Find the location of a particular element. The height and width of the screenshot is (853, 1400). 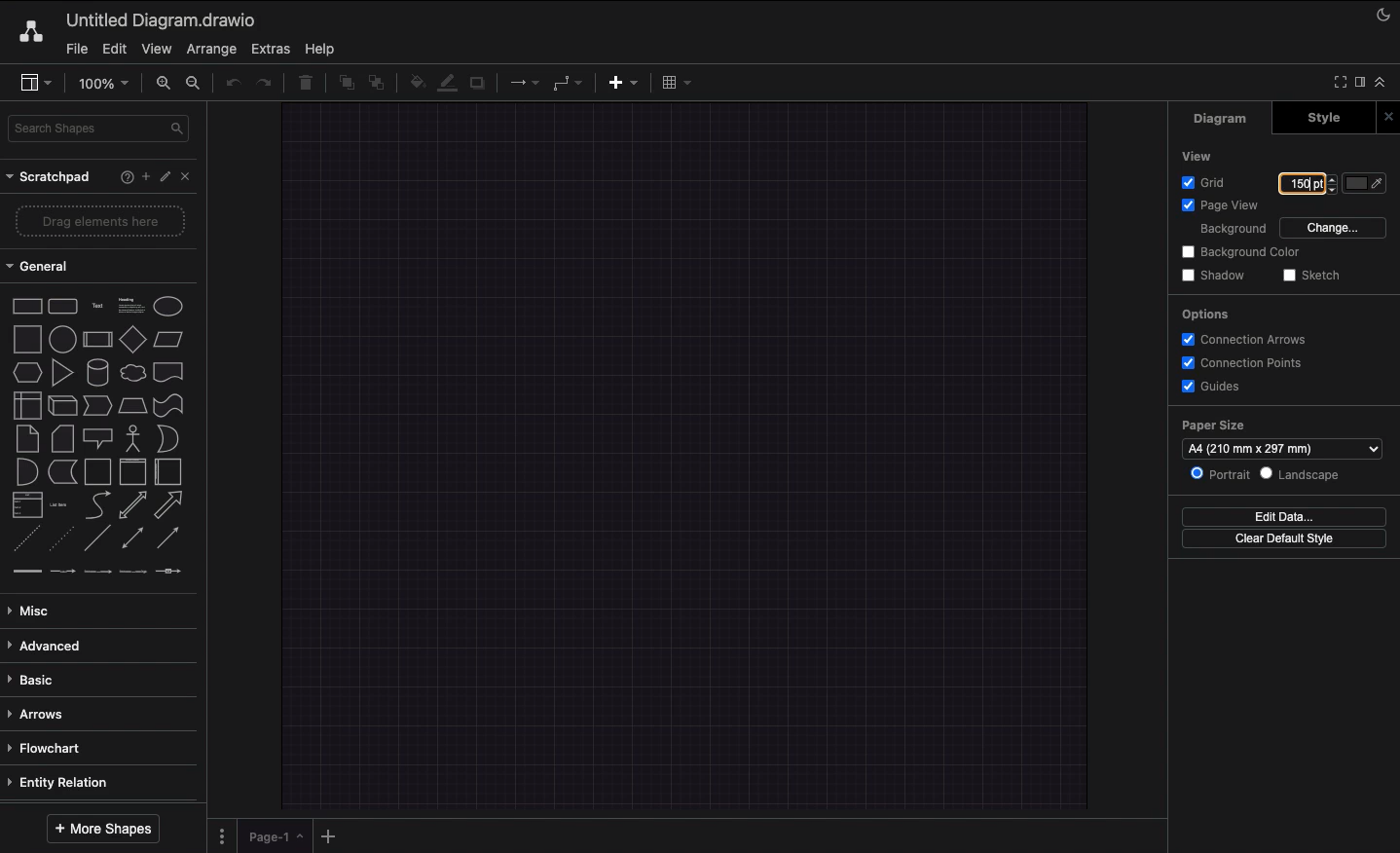

Help is located at coordinates (117, 177).